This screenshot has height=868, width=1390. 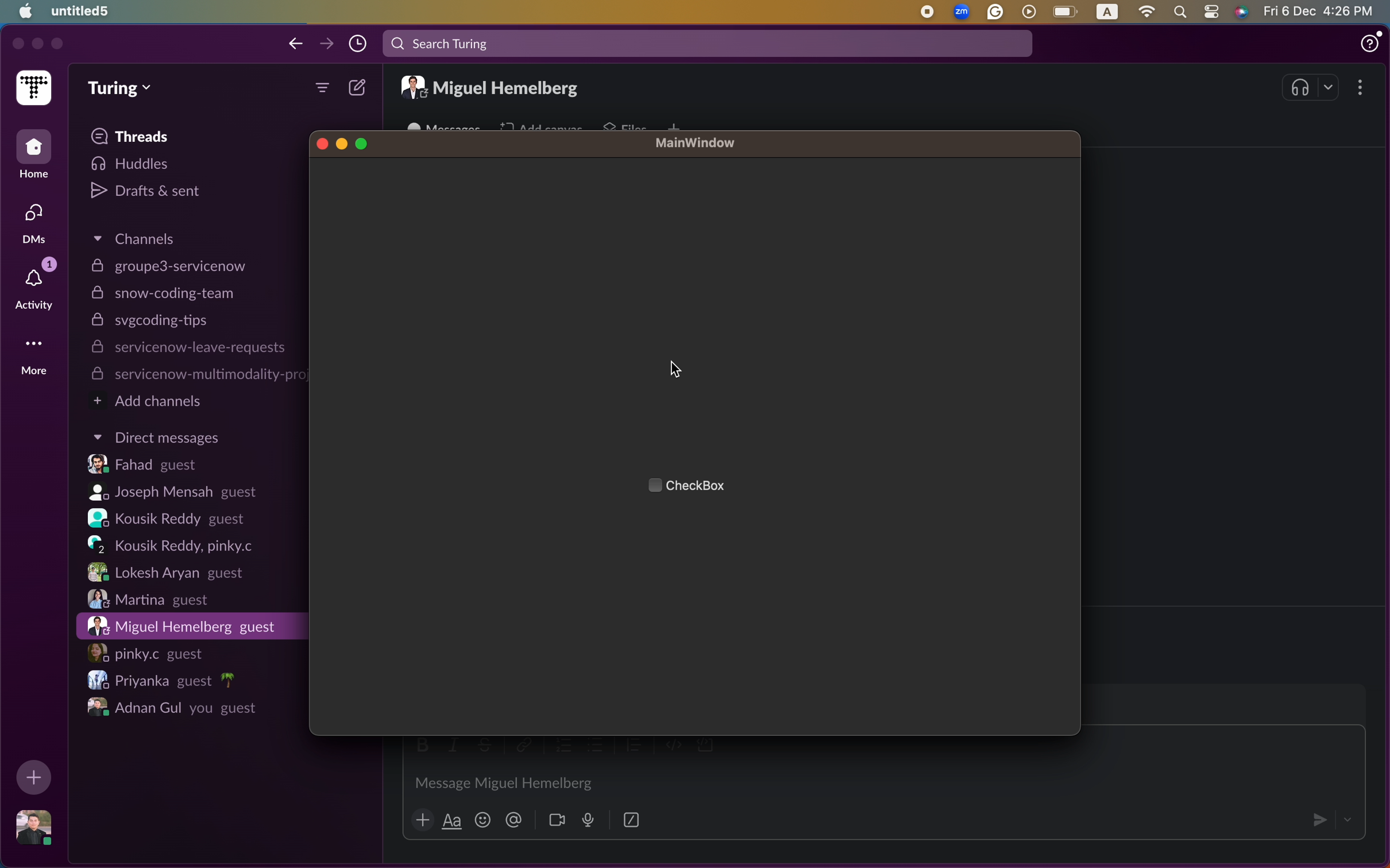 I want to click on Channels, so click(x=140, y=237).